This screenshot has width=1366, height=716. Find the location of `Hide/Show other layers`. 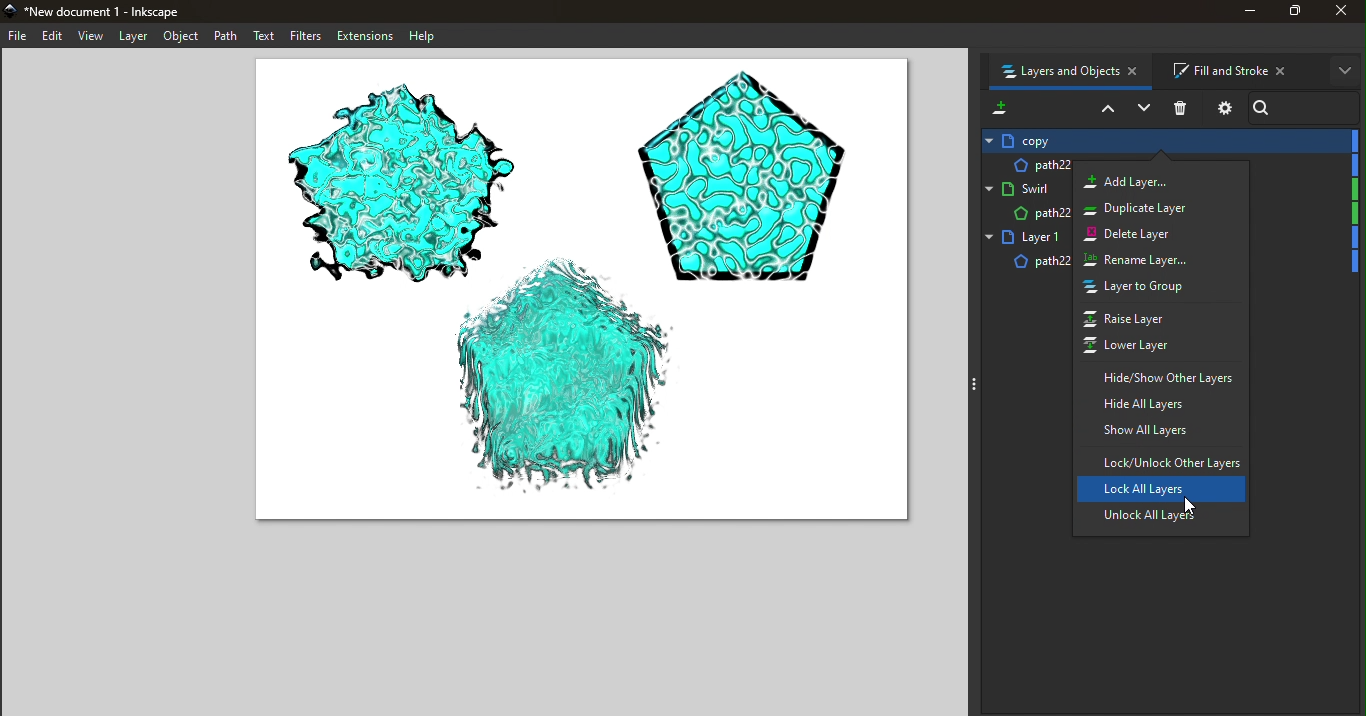

Hide/Show other layers is located at coordinates (1157, 376).